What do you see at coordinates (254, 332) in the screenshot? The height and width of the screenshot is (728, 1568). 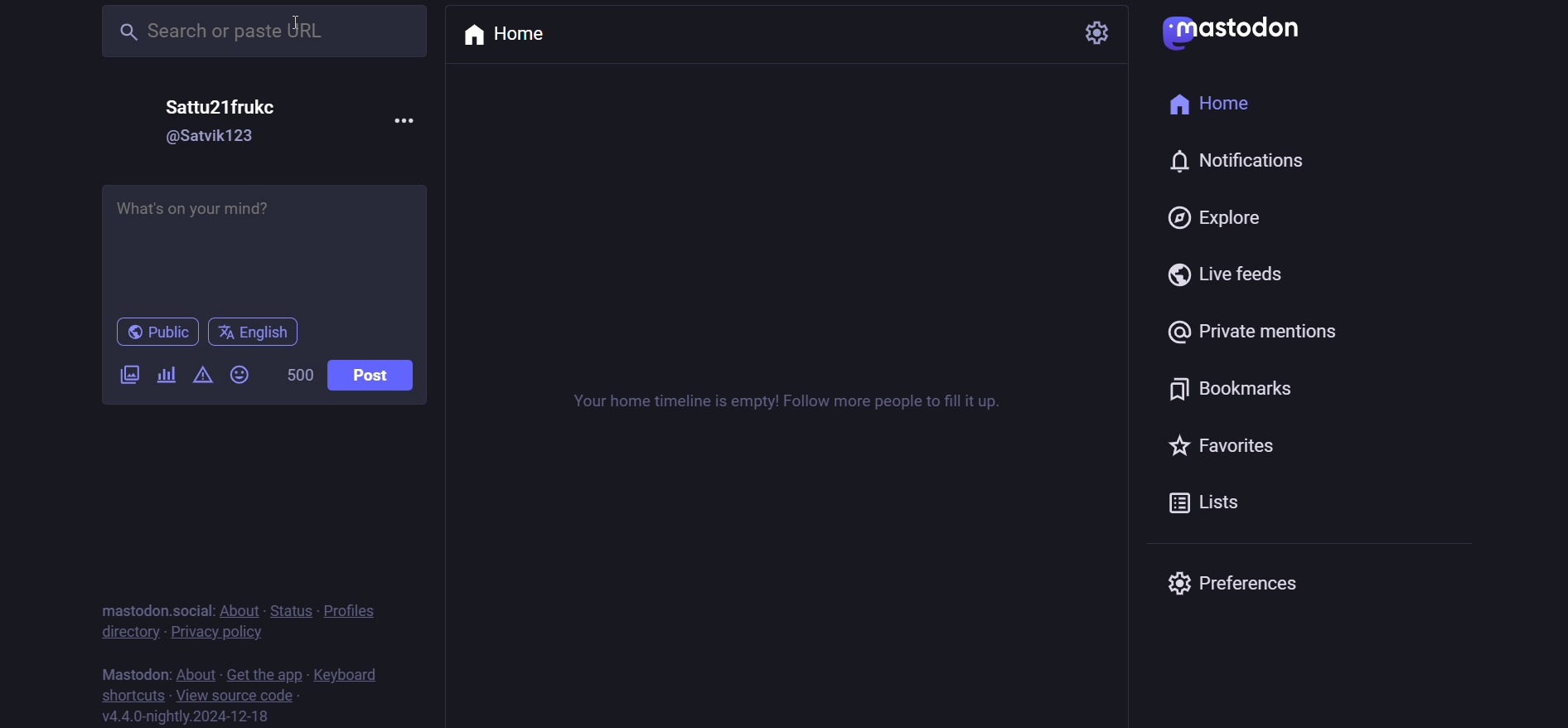 I see `english` at bounding box center [254, 332].